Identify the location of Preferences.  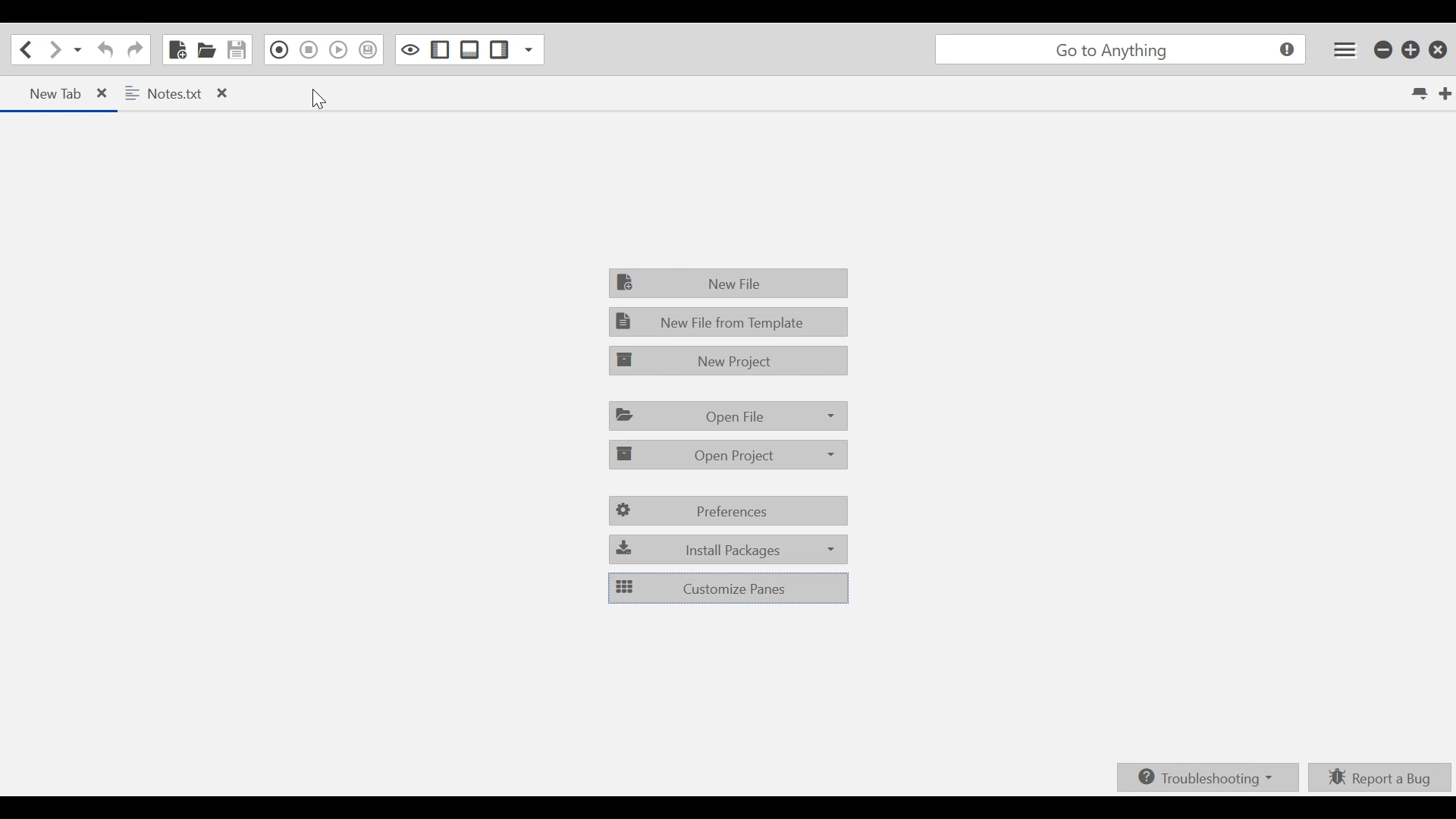
(727, 510).